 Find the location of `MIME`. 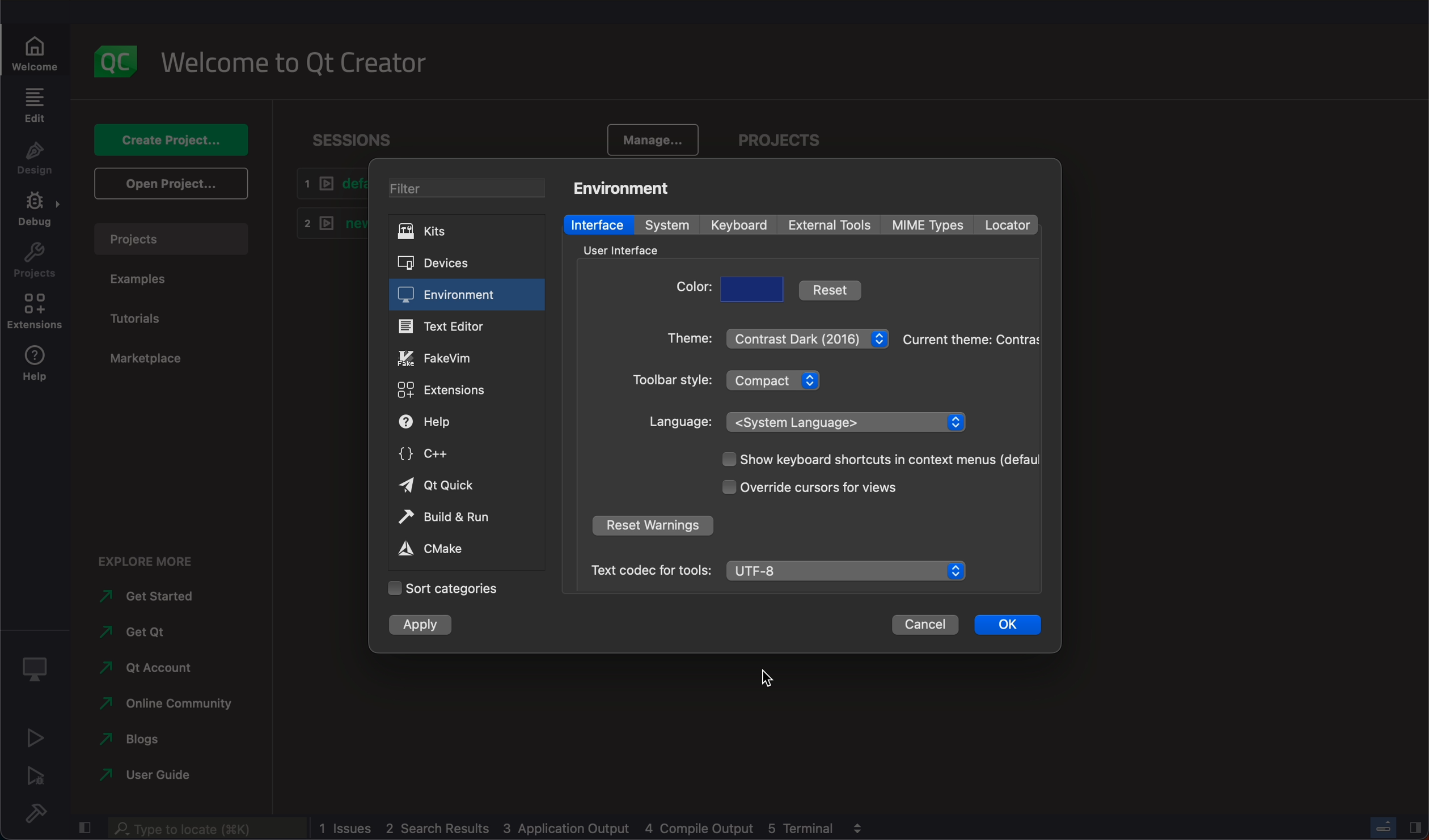

MIME is located at coordinates (929, 225).